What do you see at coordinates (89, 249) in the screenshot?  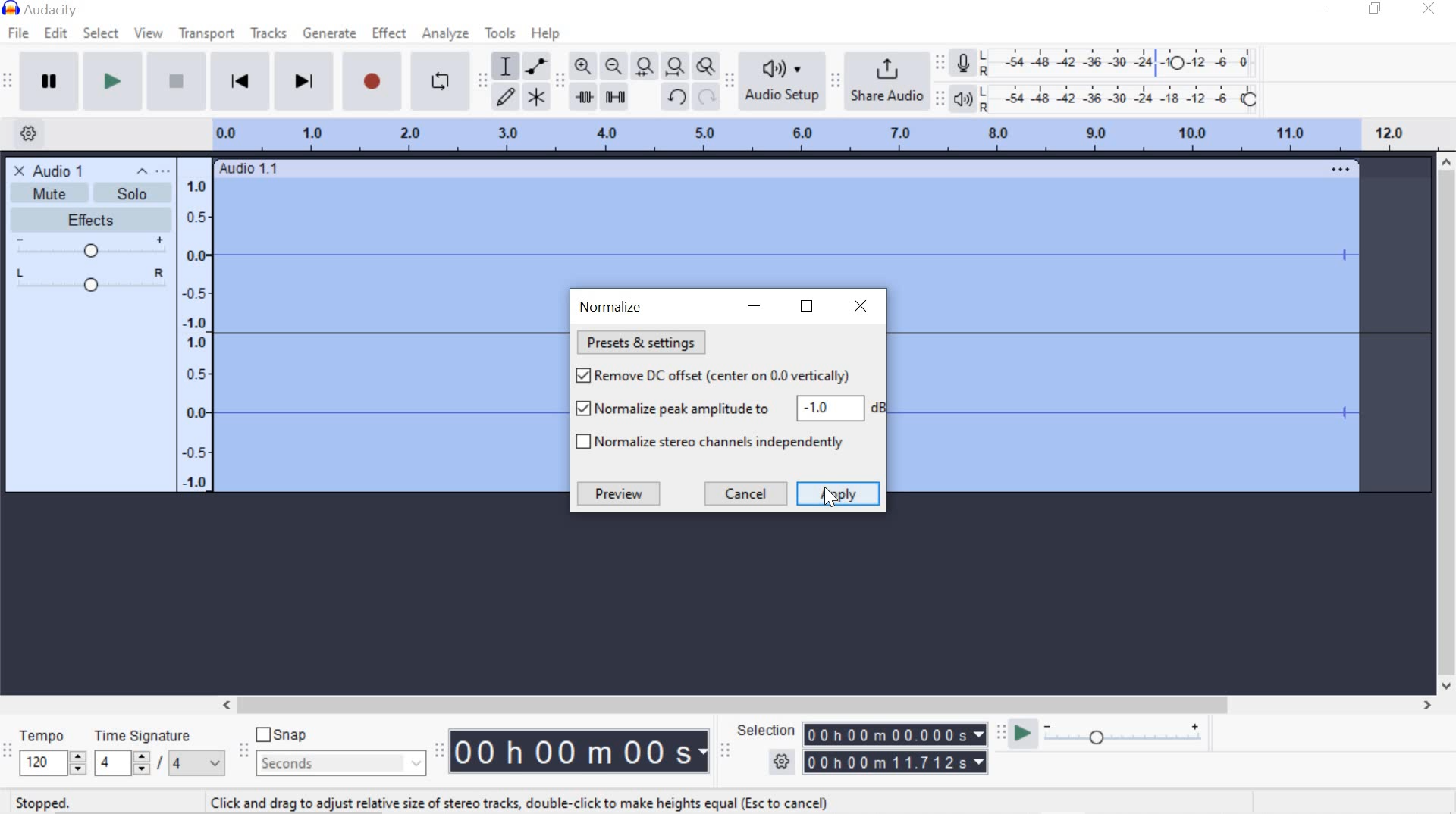 I see `Gain` at bounding box center [89, 249].